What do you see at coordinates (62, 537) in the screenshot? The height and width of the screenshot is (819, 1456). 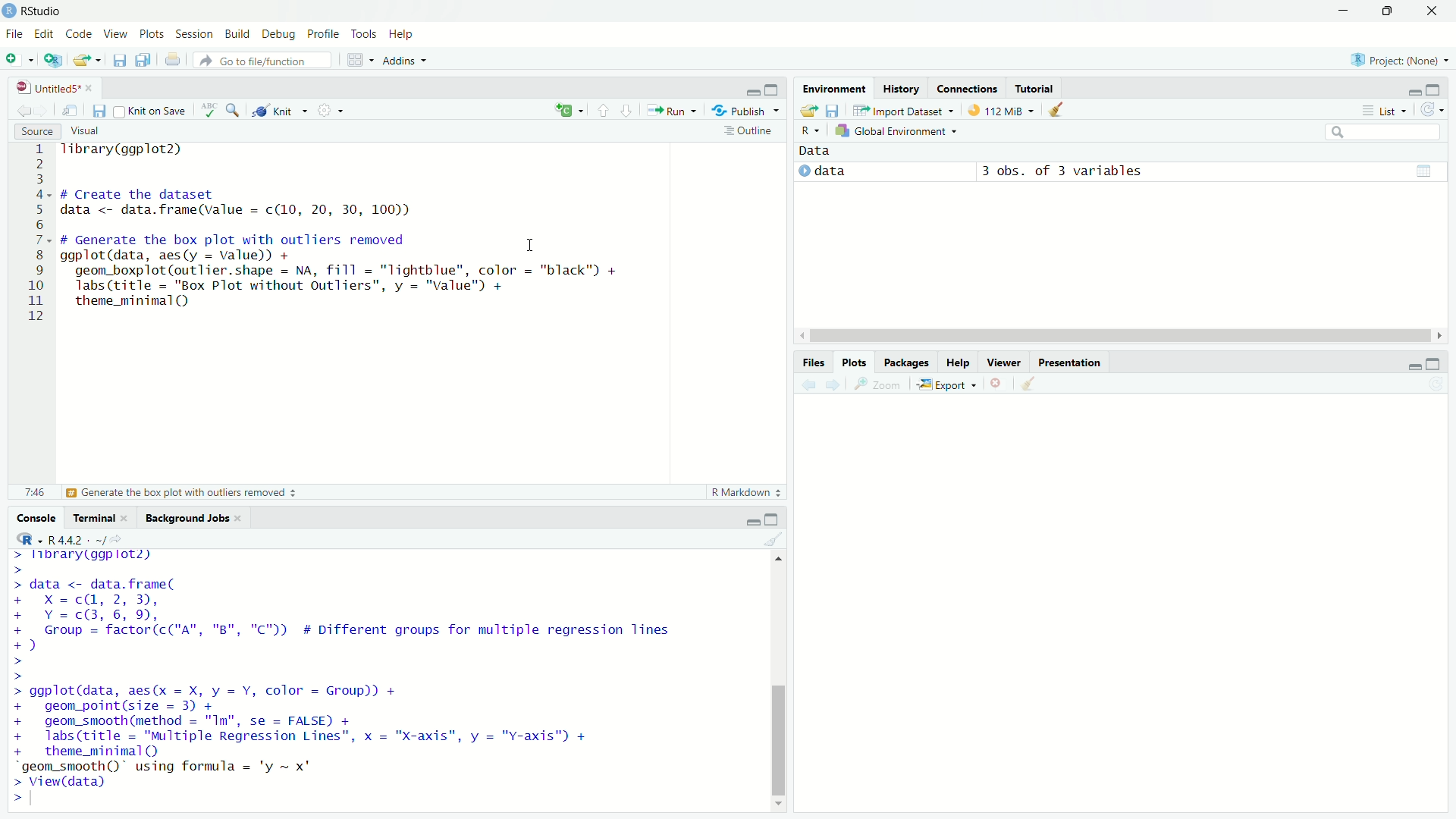 I see `R447 . ~/` at bounding box center [62, 537].